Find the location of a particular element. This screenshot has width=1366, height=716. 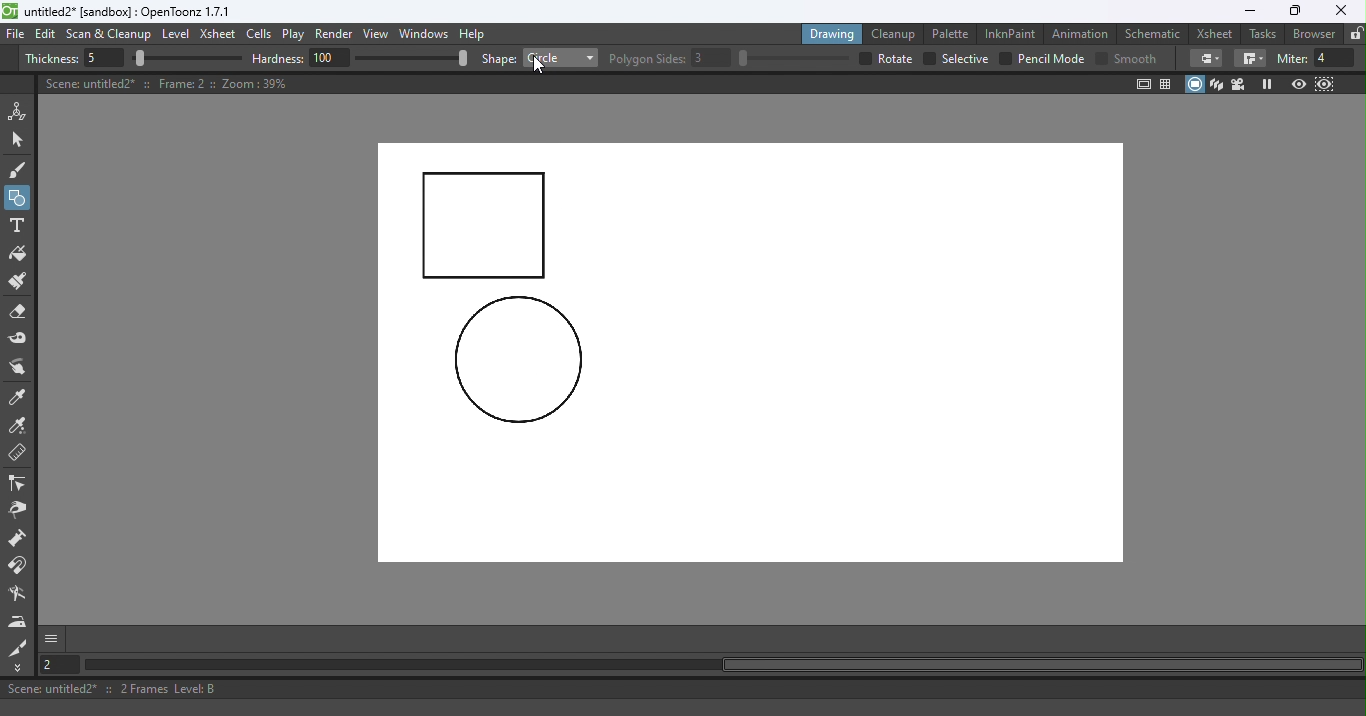

Windows is located at coordinates (425, 35).